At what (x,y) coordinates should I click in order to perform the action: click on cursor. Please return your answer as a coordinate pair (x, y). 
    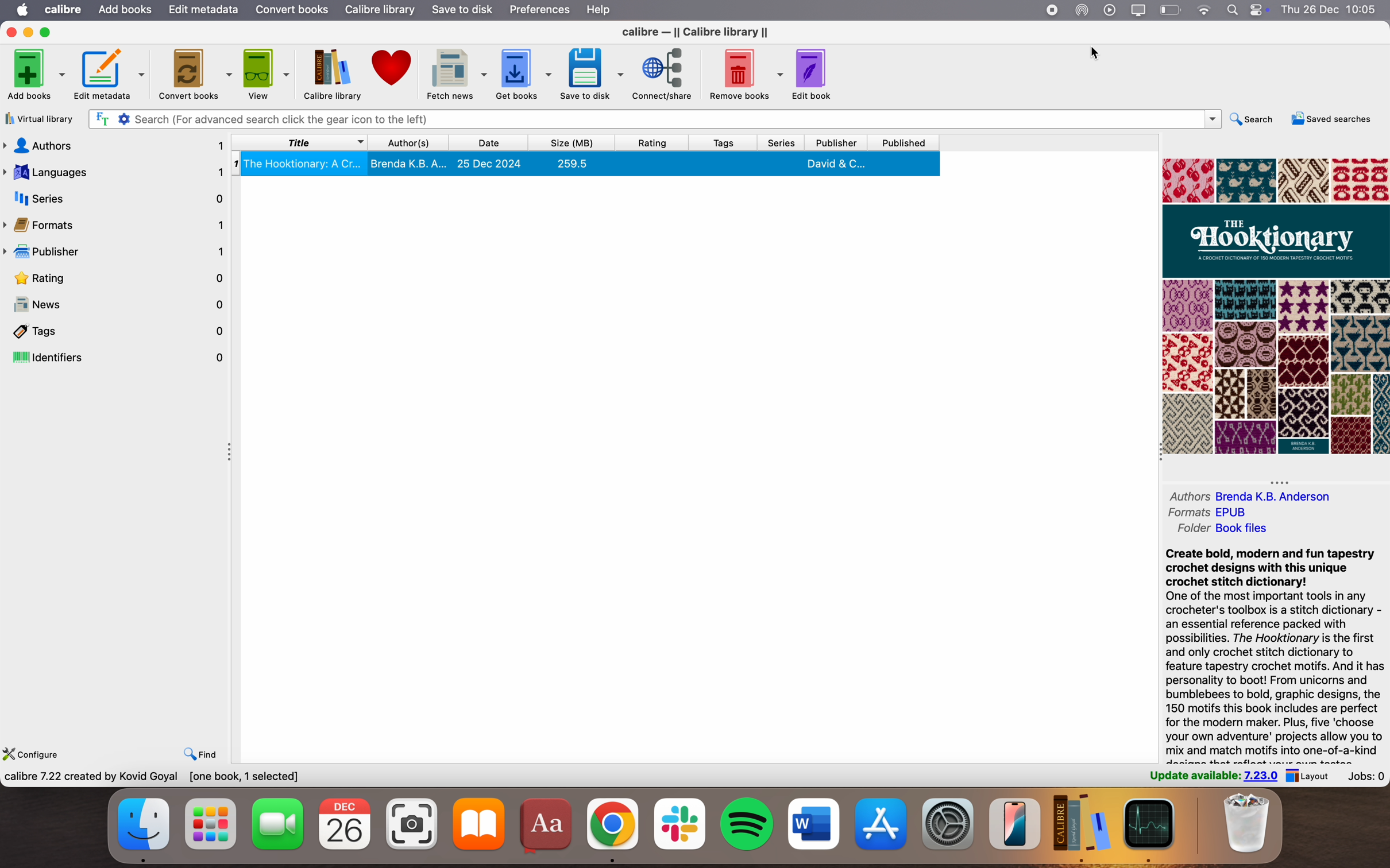
    Looking at the image, I should click on (1097, 52).